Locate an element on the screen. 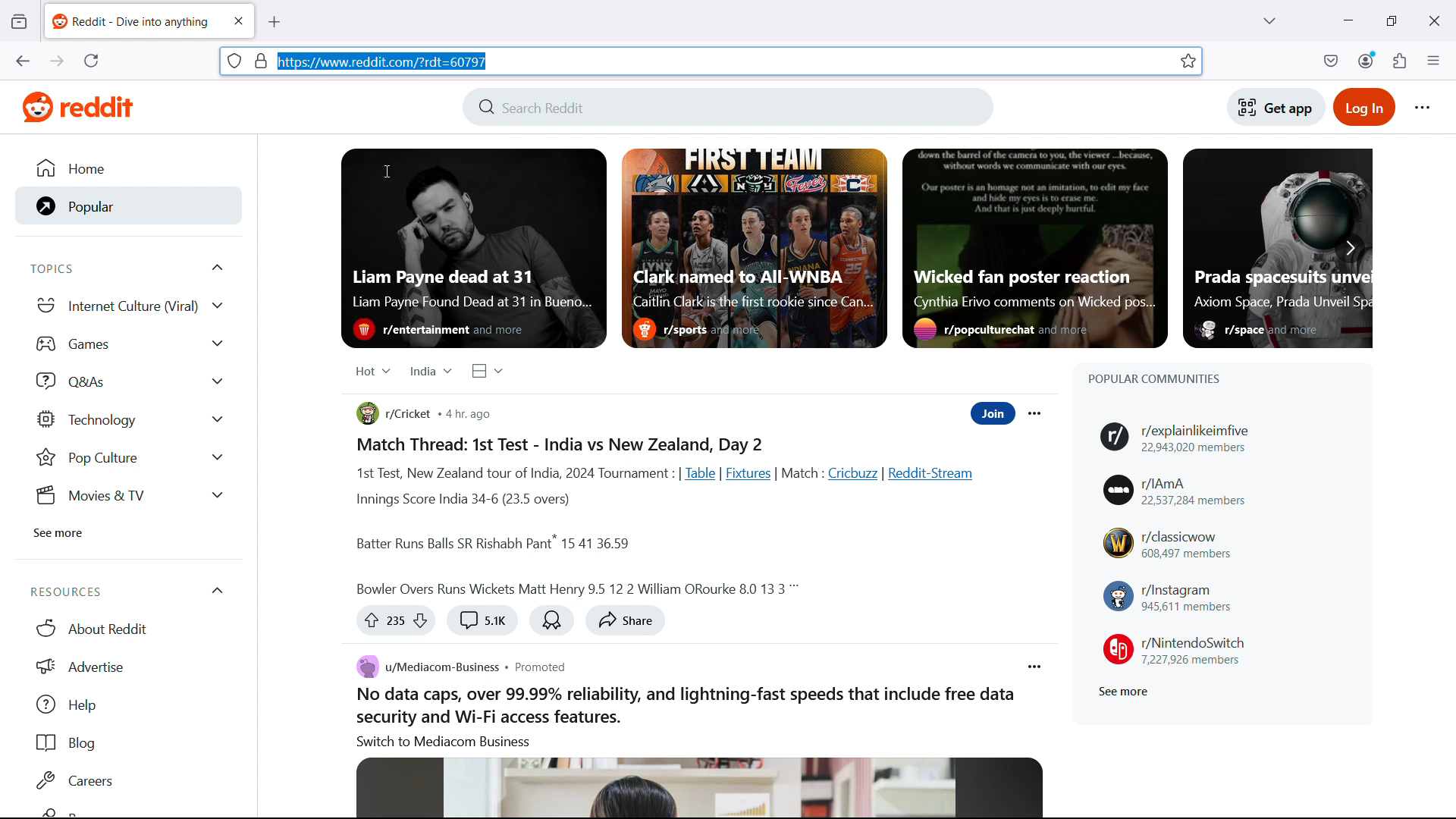 This screenshot has height=819, width=1456. list all tabs is located at coordinates (1268, 19).